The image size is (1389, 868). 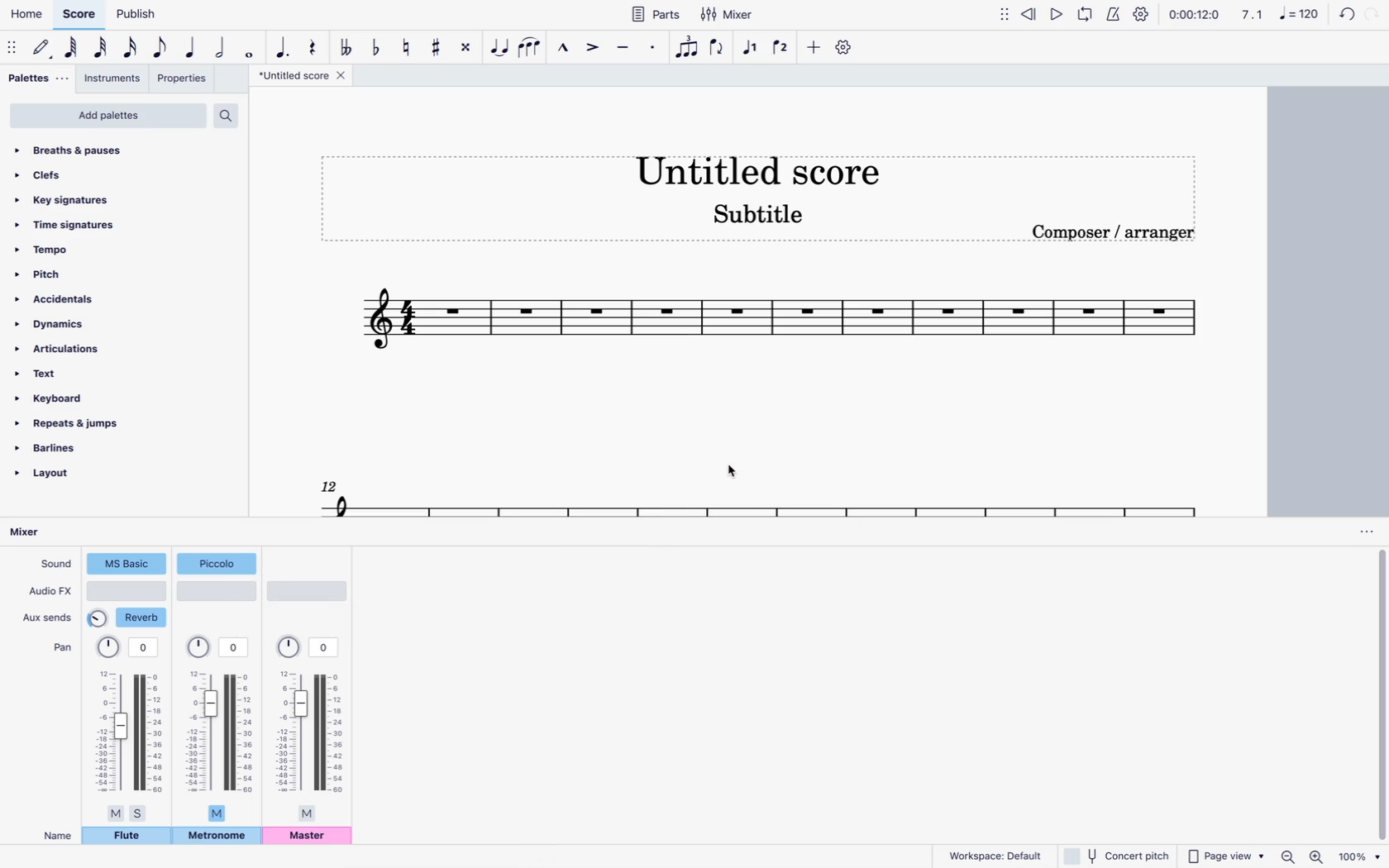 I want to click on marcatto, so click(x=563, y=49).